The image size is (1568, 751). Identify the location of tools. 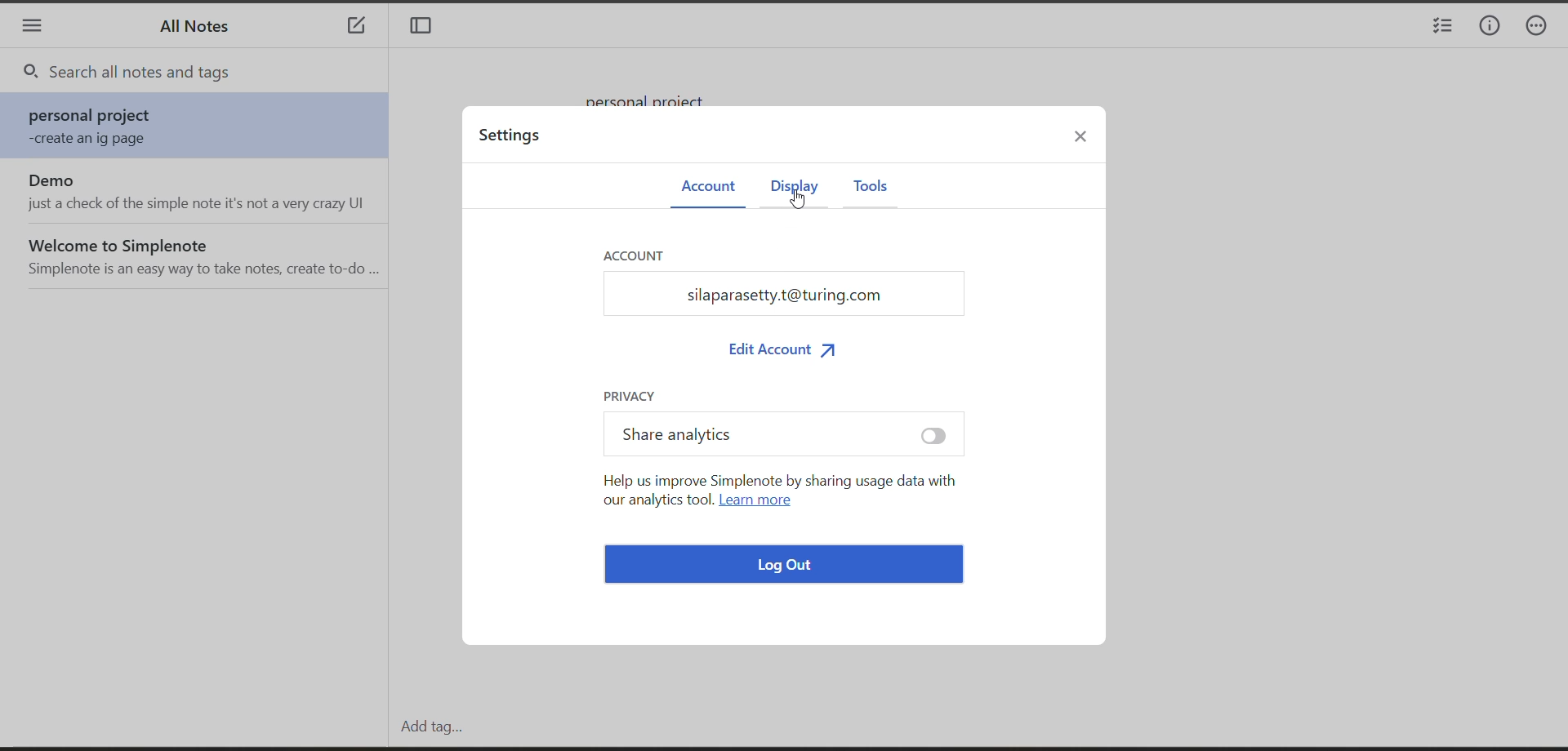
(870, 188).